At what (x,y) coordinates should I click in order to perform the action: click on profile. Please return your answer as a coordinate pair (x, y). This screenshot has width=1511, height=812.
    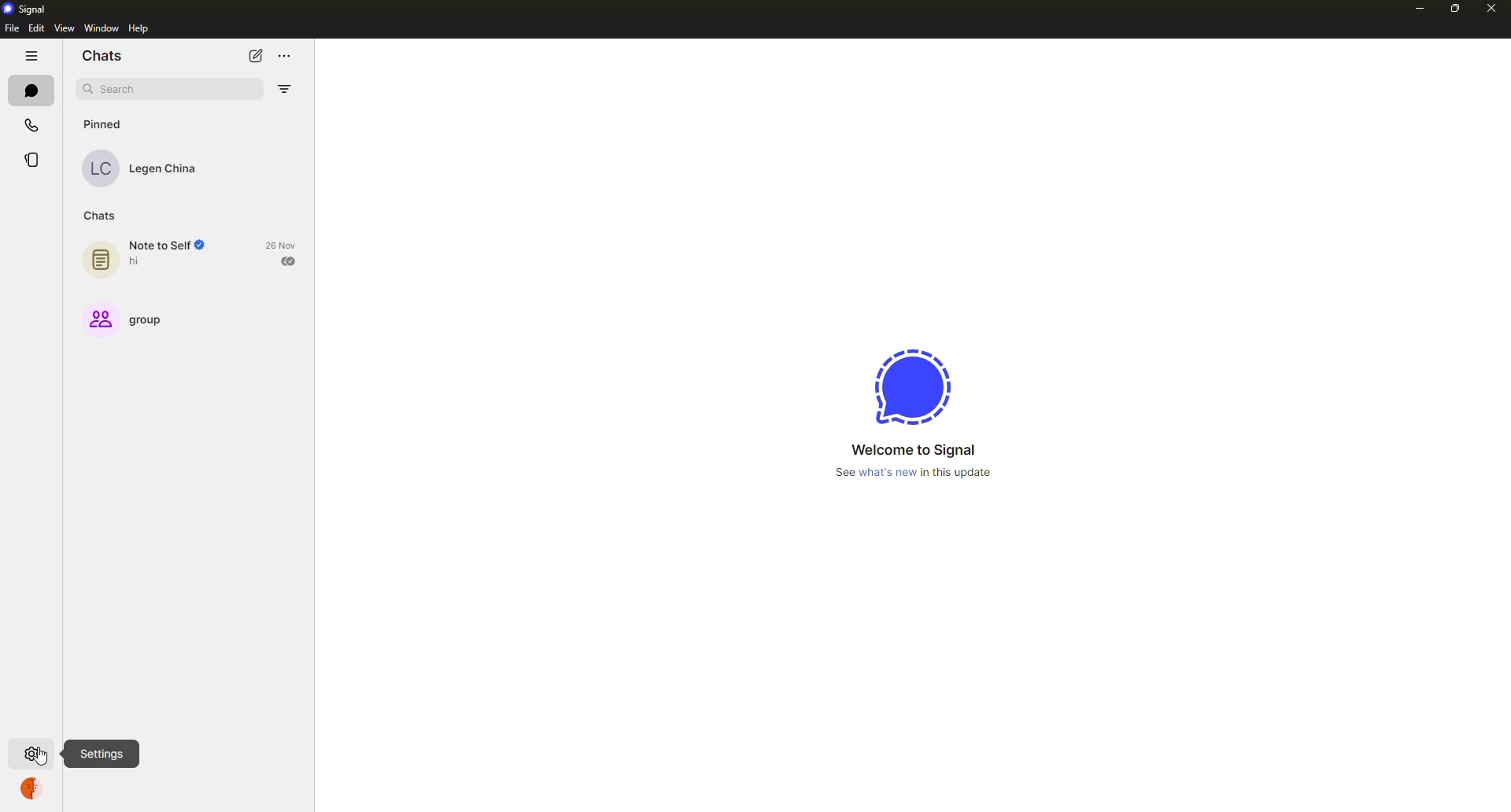
    Looking at the image, I should click on (34, 788).